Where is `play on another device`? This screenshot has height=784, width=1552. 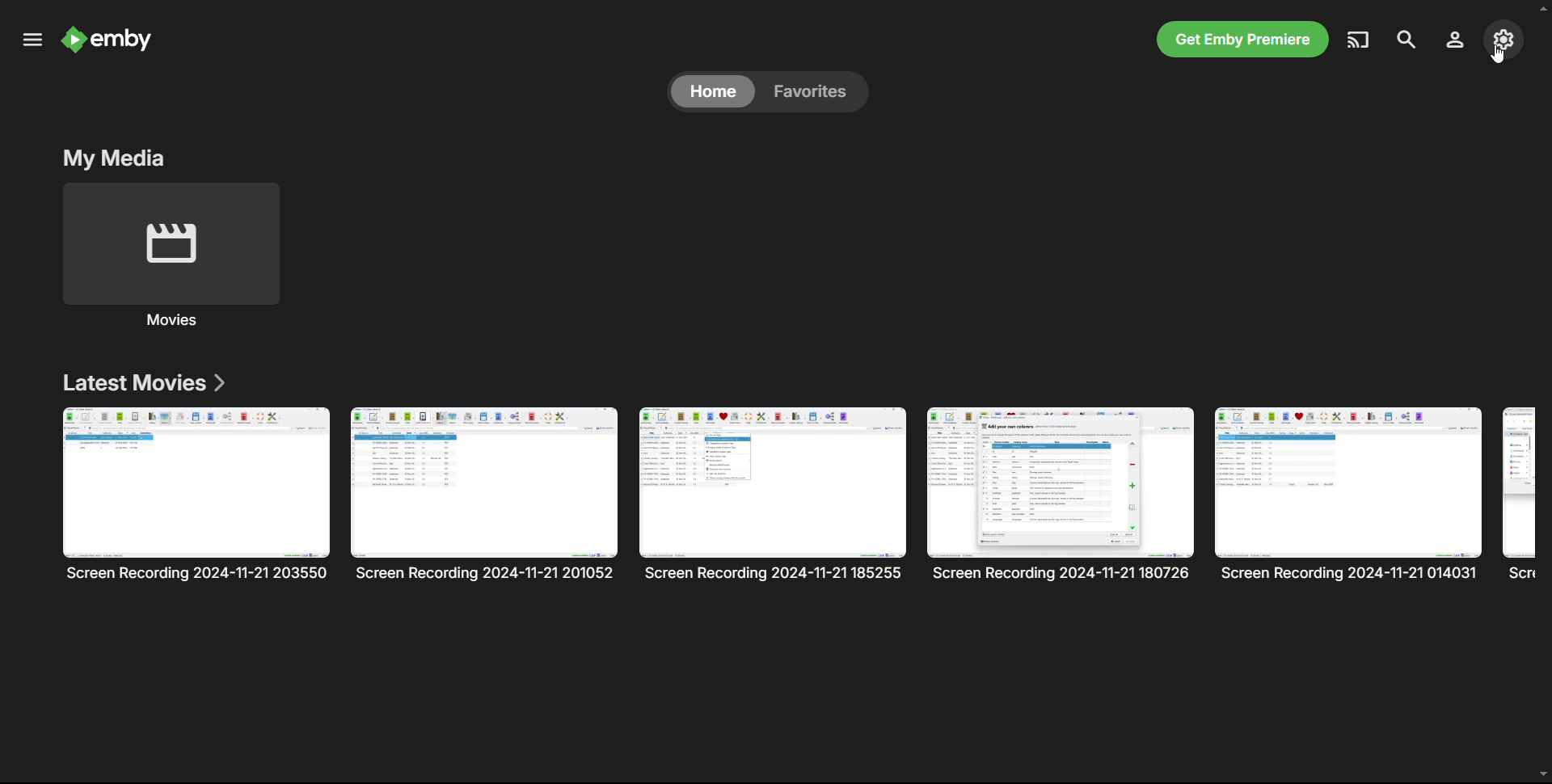
play on another device is located at coordinates (1360, 39).